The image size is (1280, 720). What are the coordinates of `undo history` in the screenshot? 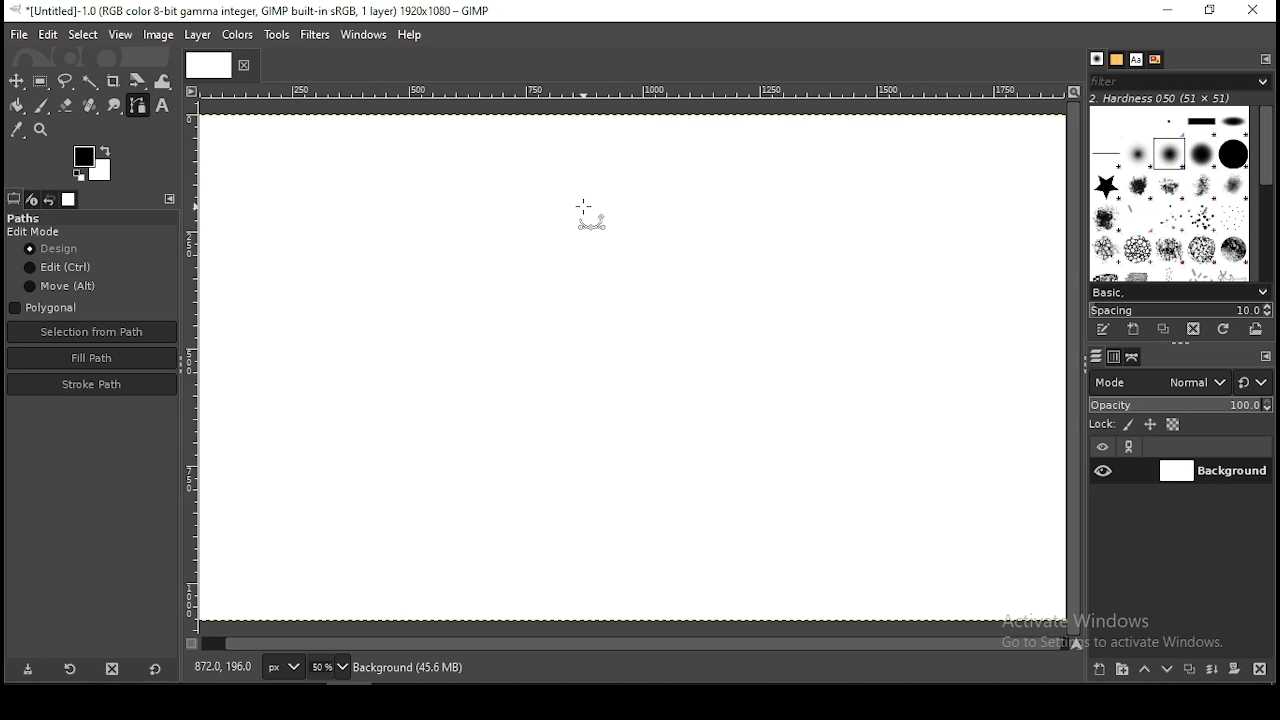 It's located at (50, 199).